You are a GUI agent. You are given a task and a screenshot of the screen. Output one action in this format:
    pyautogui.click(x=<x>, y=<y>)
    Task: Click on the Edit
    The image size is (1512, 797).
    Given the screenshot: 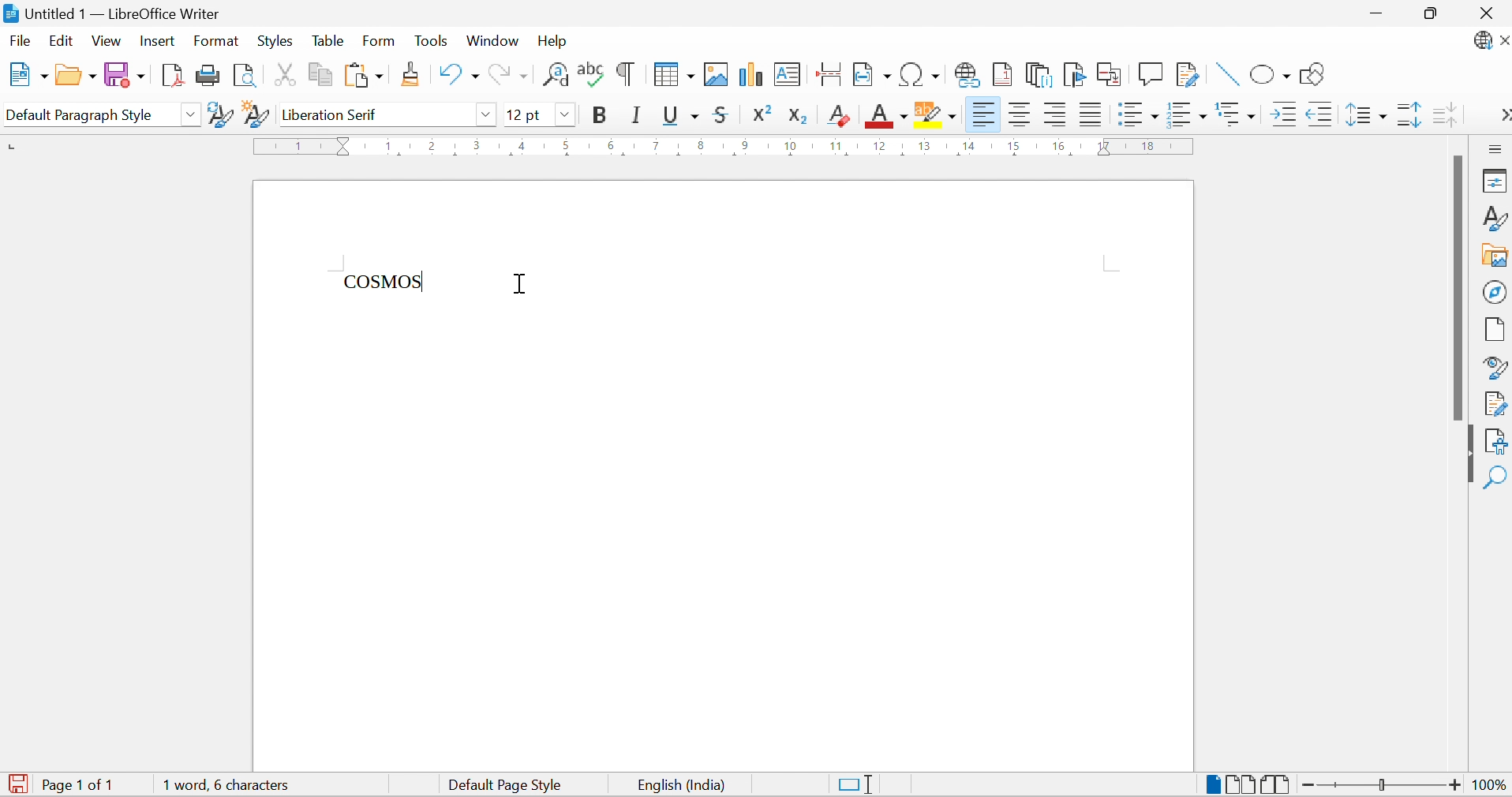 What is the action you would take?
    pyautogui.click(x=62, y=40)
    